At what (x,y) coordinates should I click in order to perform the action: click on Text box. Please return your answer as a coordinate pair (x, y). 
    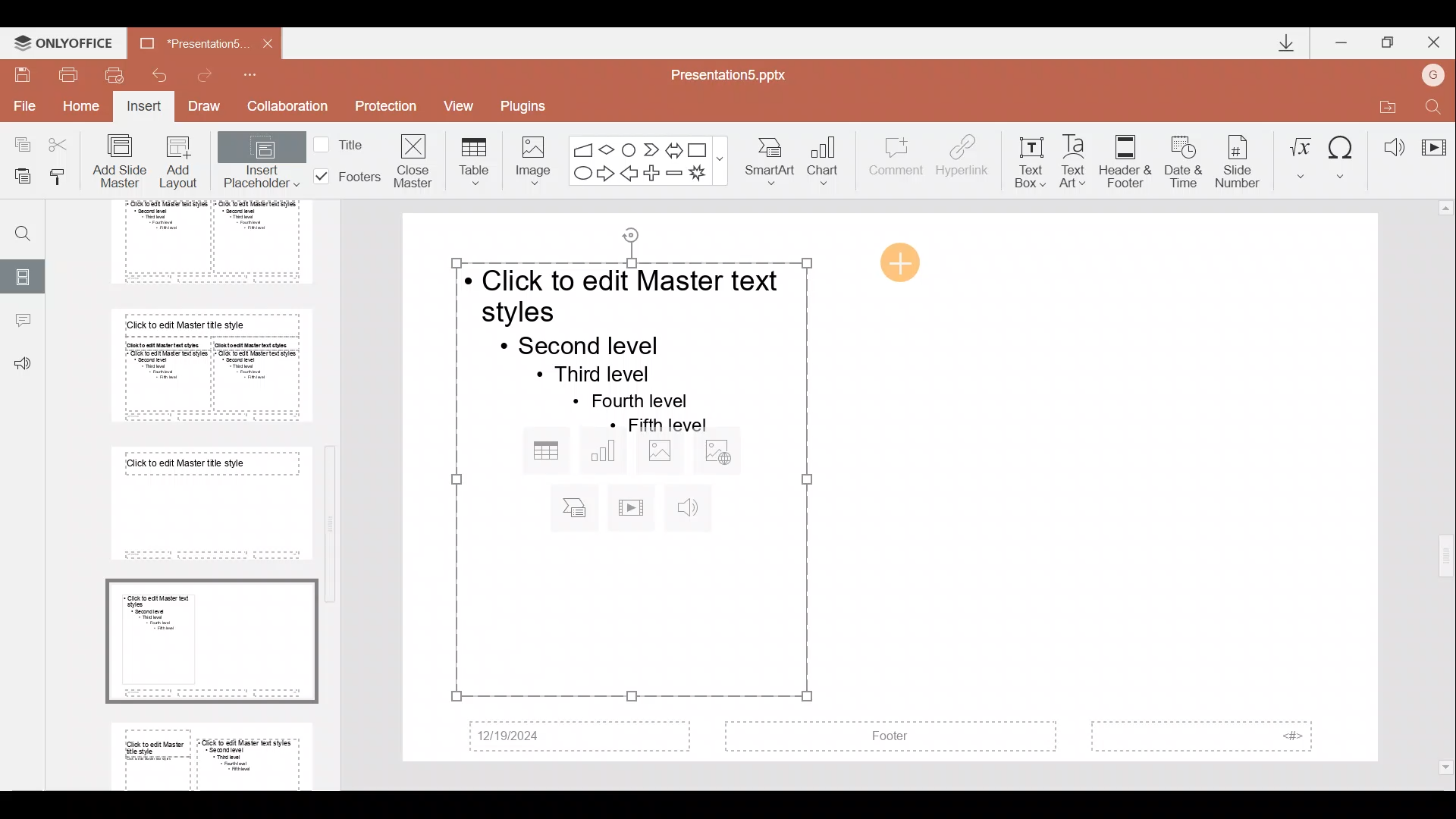
    Looking at the image, I should click on (1030, 158).